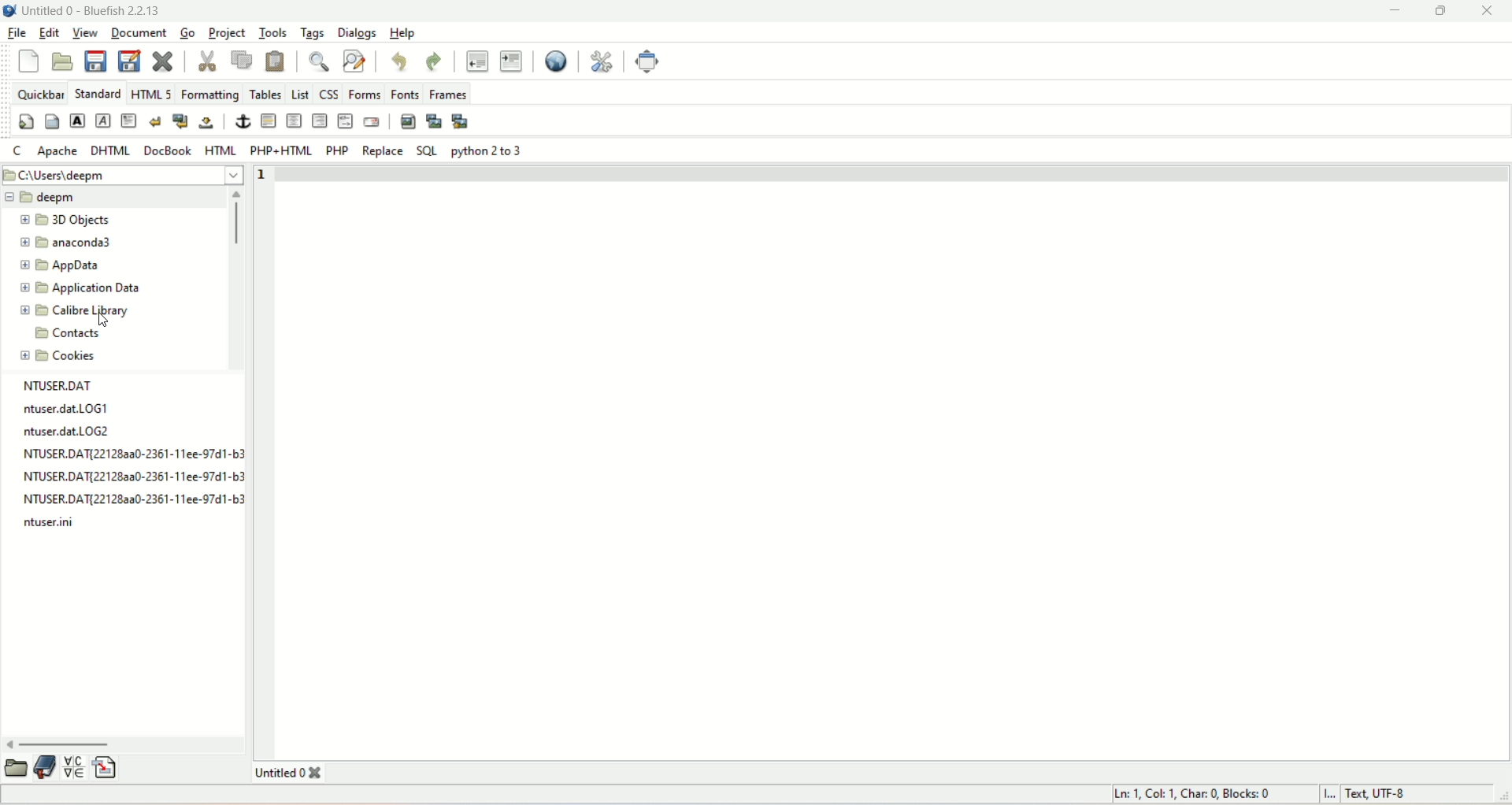 The height and width of the screenshot is (805, 1512). I want to click on paste, so click(276, 62).